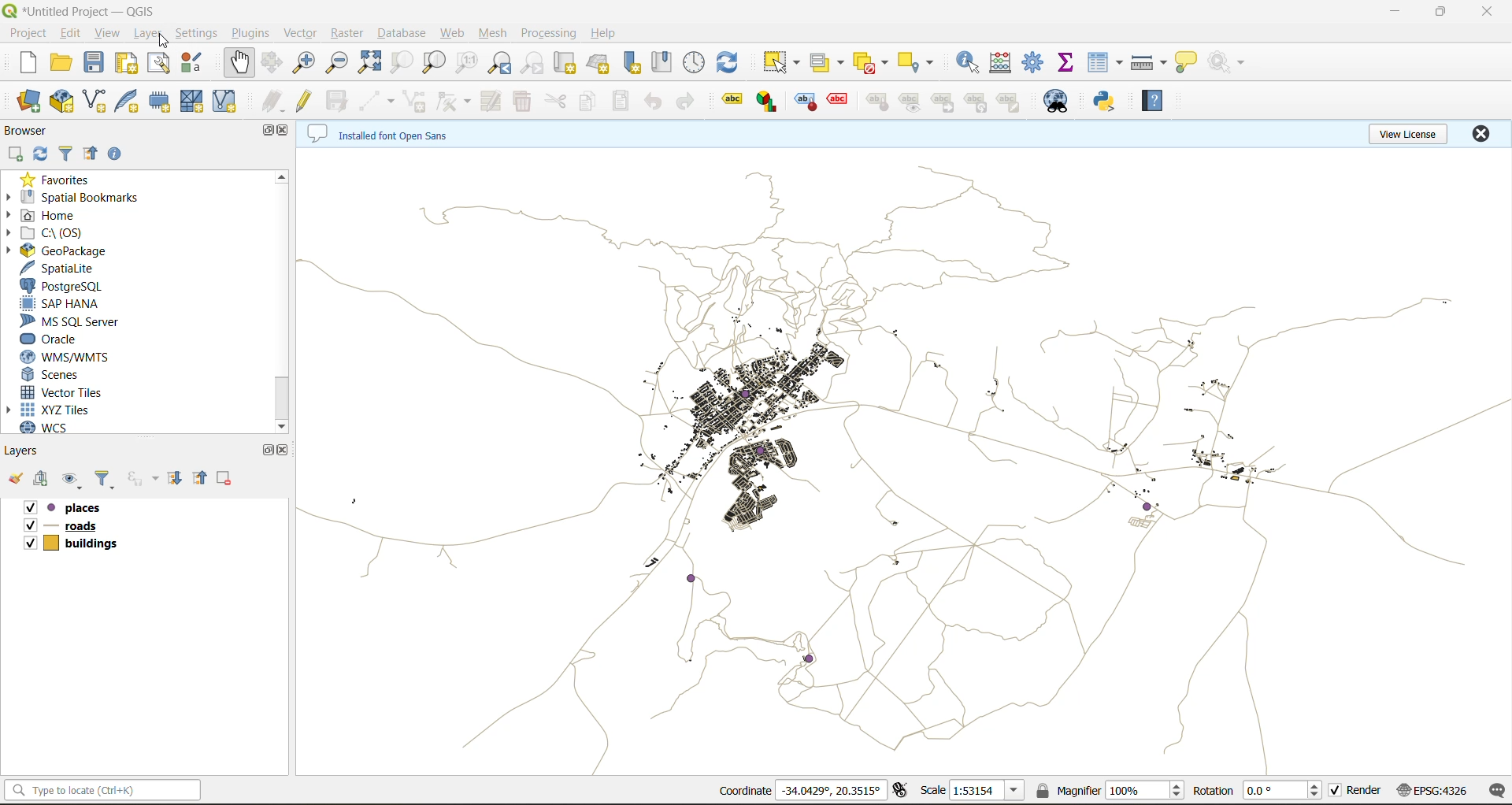 This screenshot has width=1512, height=805. What do you see at coordinates (265, 450) in the screenshot?
I see `maximize` at bounding box center [265, 450].